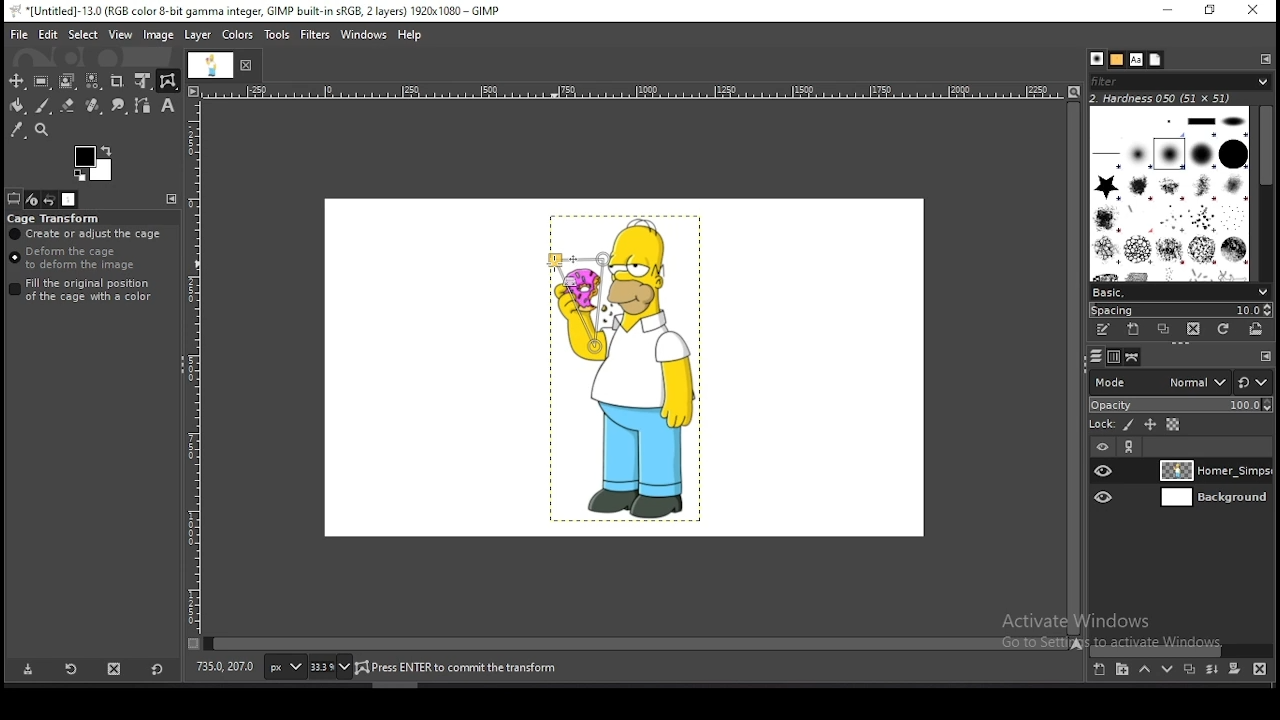 The height and width of the screenshot is (720, 1280). What do you see at coordinates (1135, 59) in the screenshot?
I see `fonts` at bounding box center [1135, 59].